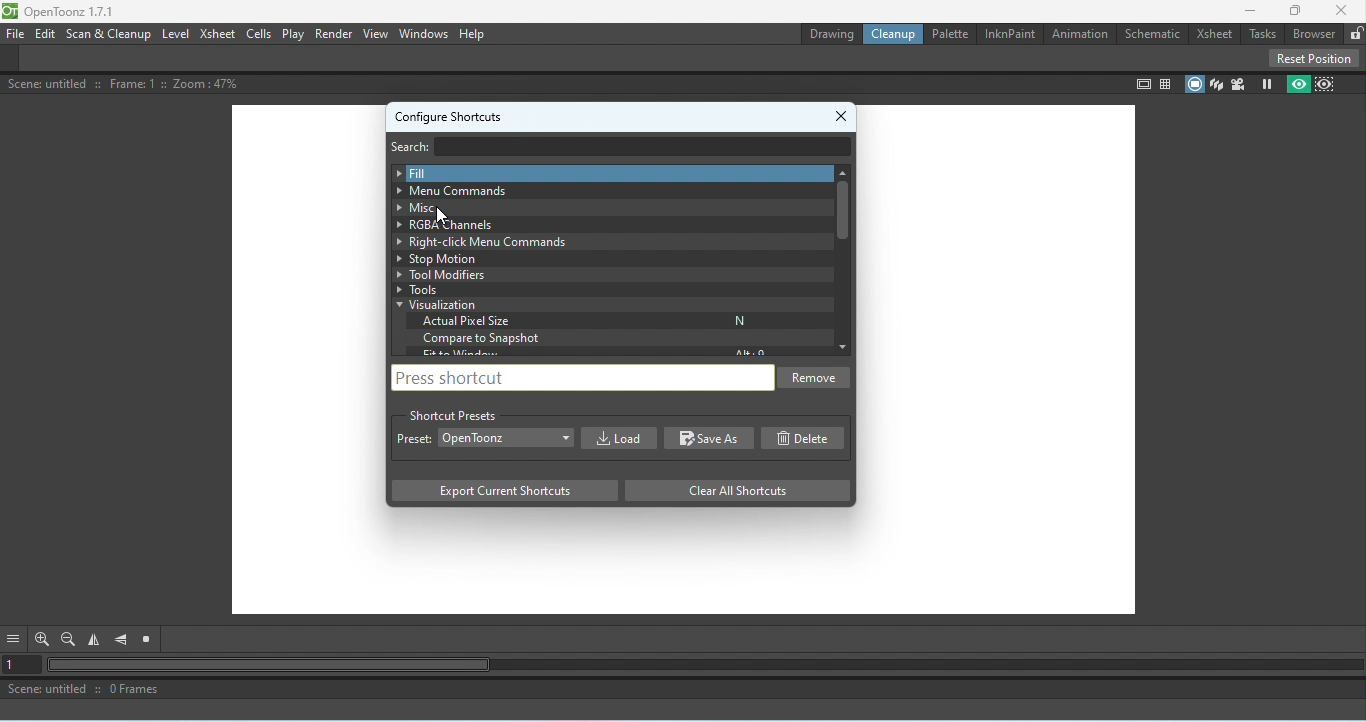 The image size is (1366, 722). Describe the element at coordinates (817, 380) in the screenshot. I see `Remove` at that location.